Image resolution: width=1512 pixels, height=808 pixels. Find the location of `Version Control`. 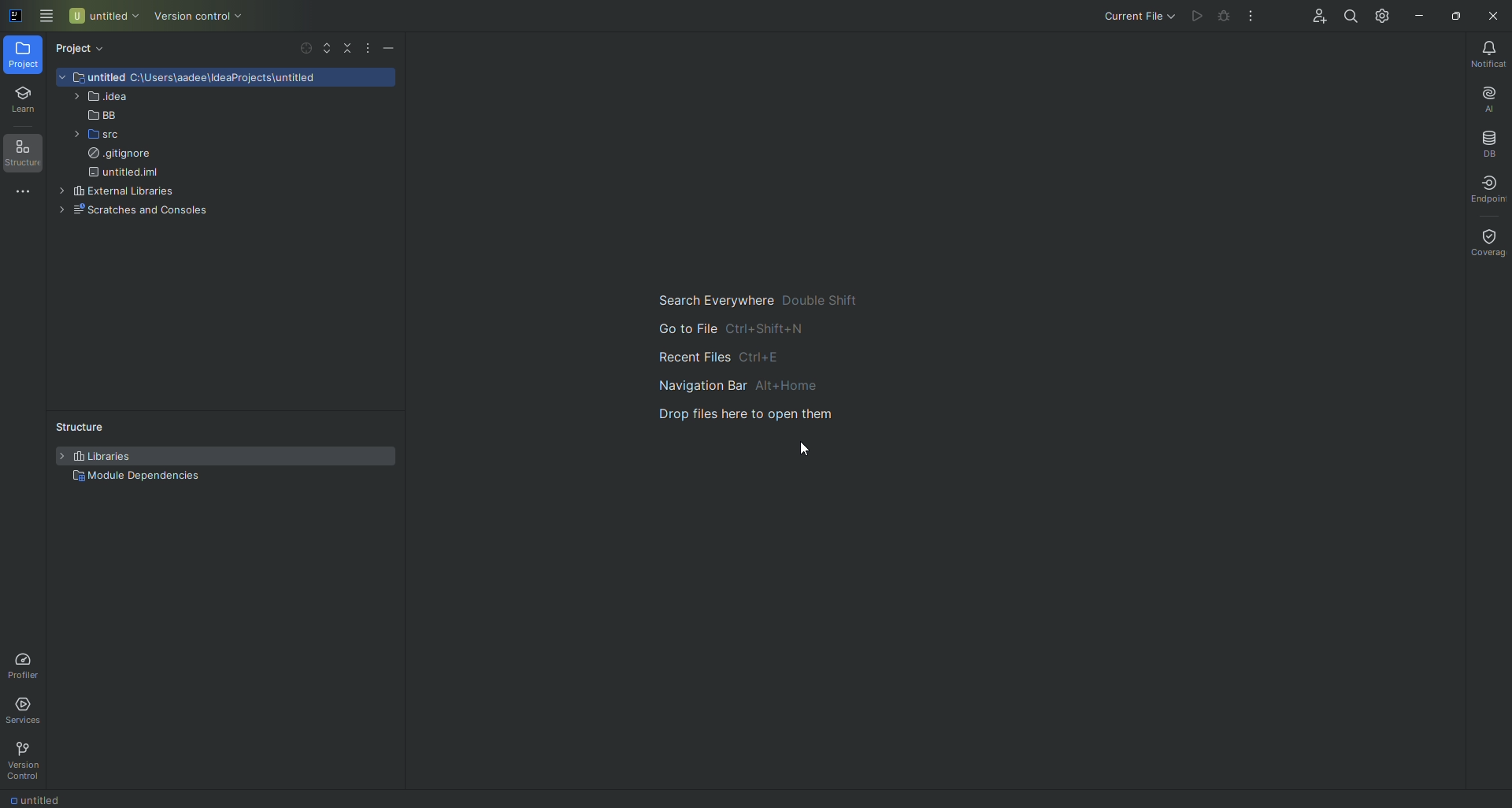

Version Control is located at coordinates (204, 17).